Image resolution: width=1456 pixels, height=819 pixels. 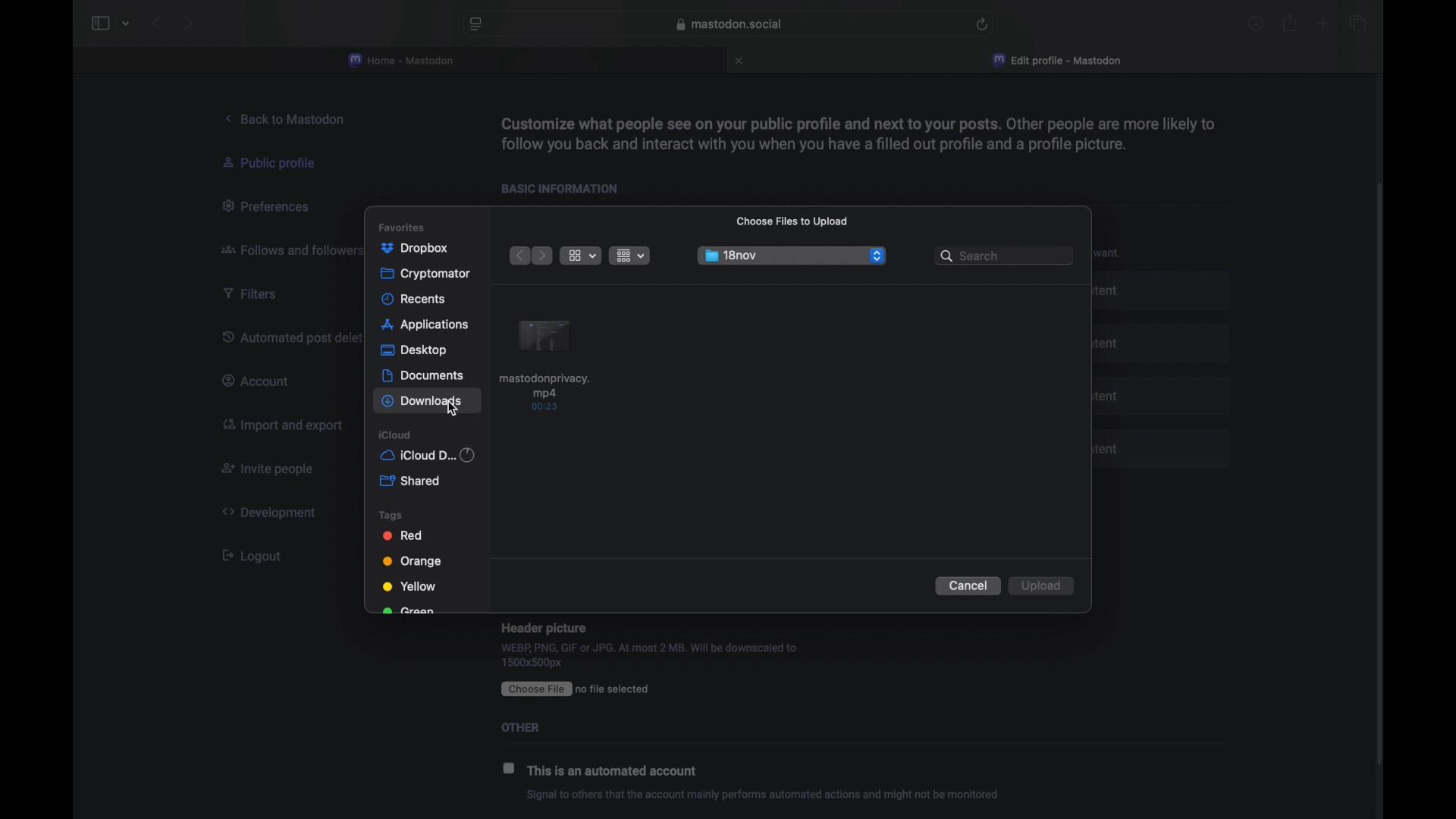 What do you see at coordinates (581, 256) in the screenshot?
I see `view options` at bounding box center [581, 256].